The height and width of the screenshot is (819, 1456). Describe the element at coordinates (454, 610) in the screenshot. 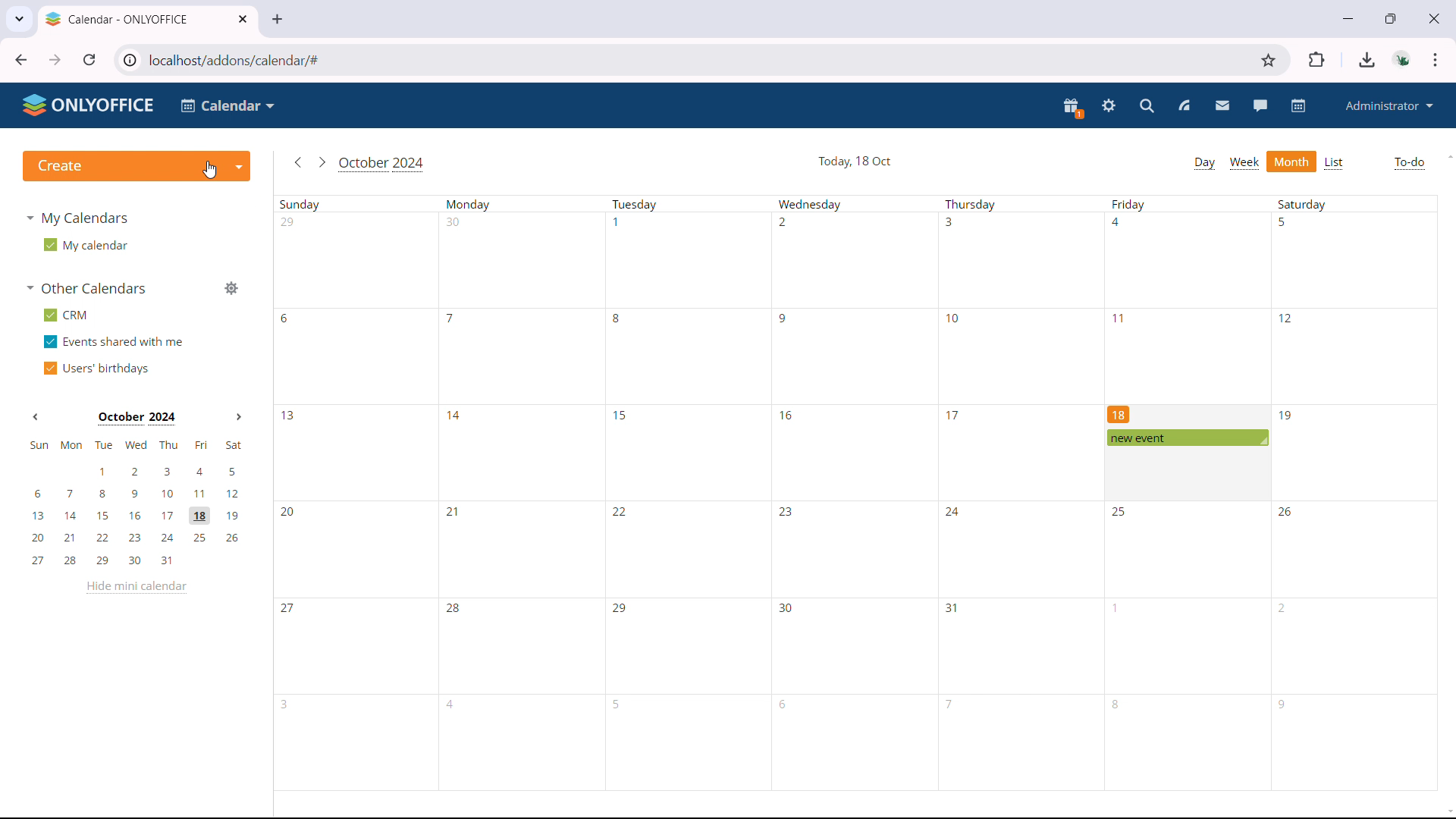

I see `28` at that location.